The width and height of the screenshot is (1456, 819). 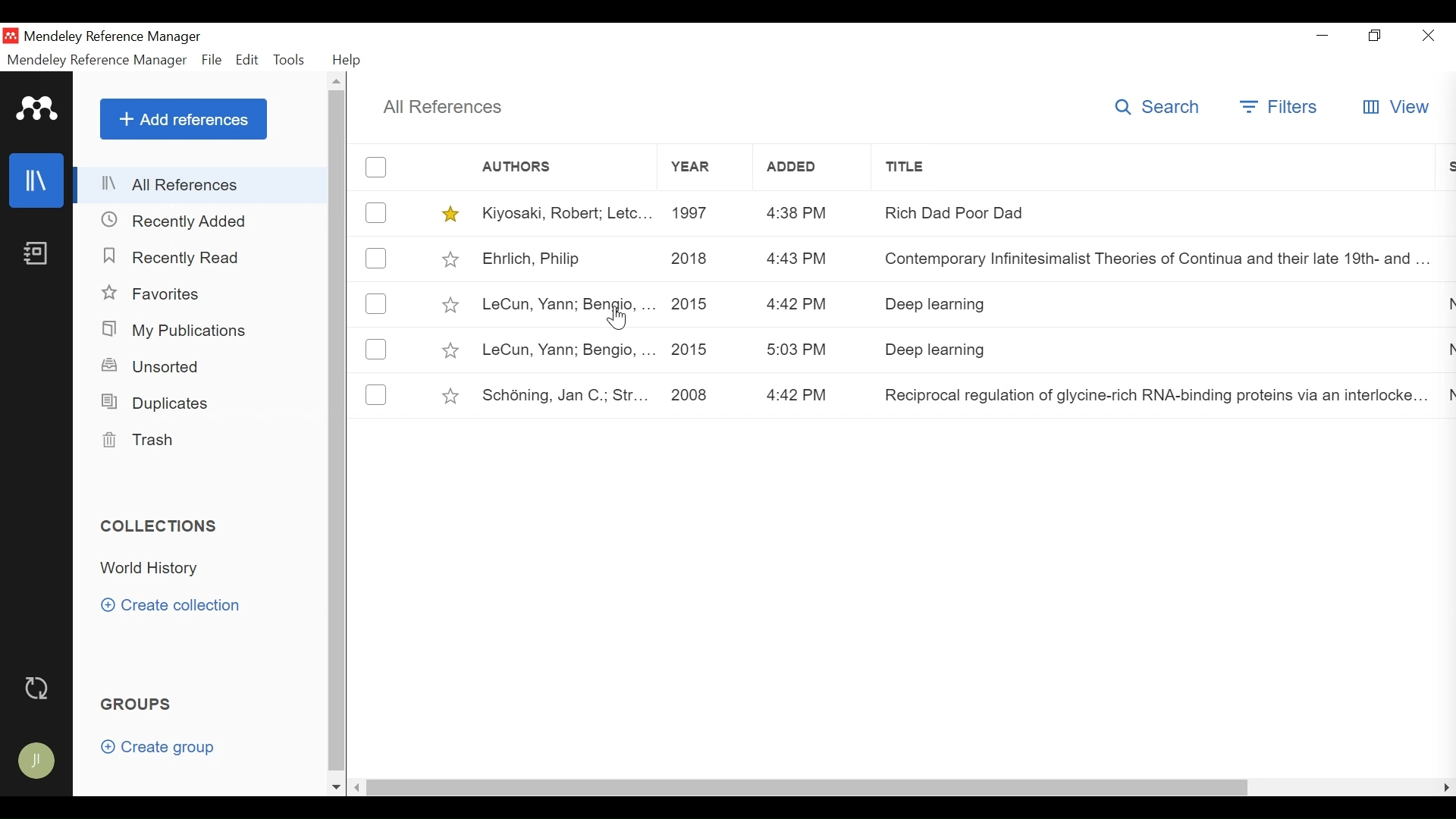 What do you see at coordinates (376, 213) in the screenshot?
I see `(un)select` at bounding box center [376, 213].